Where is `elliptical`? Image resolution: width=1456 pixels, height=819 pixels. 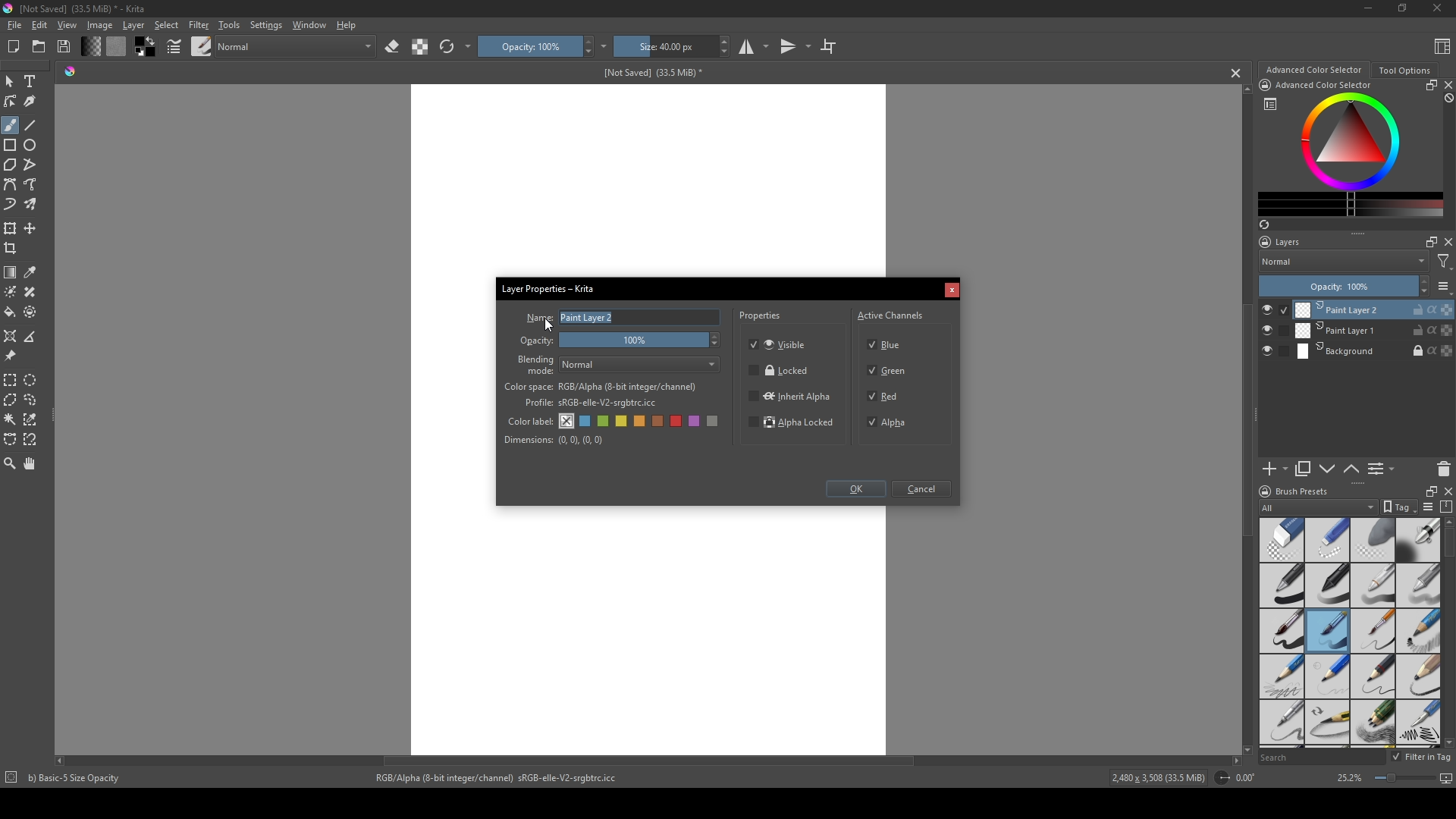 elliptical is located at coordinates (33, 379).